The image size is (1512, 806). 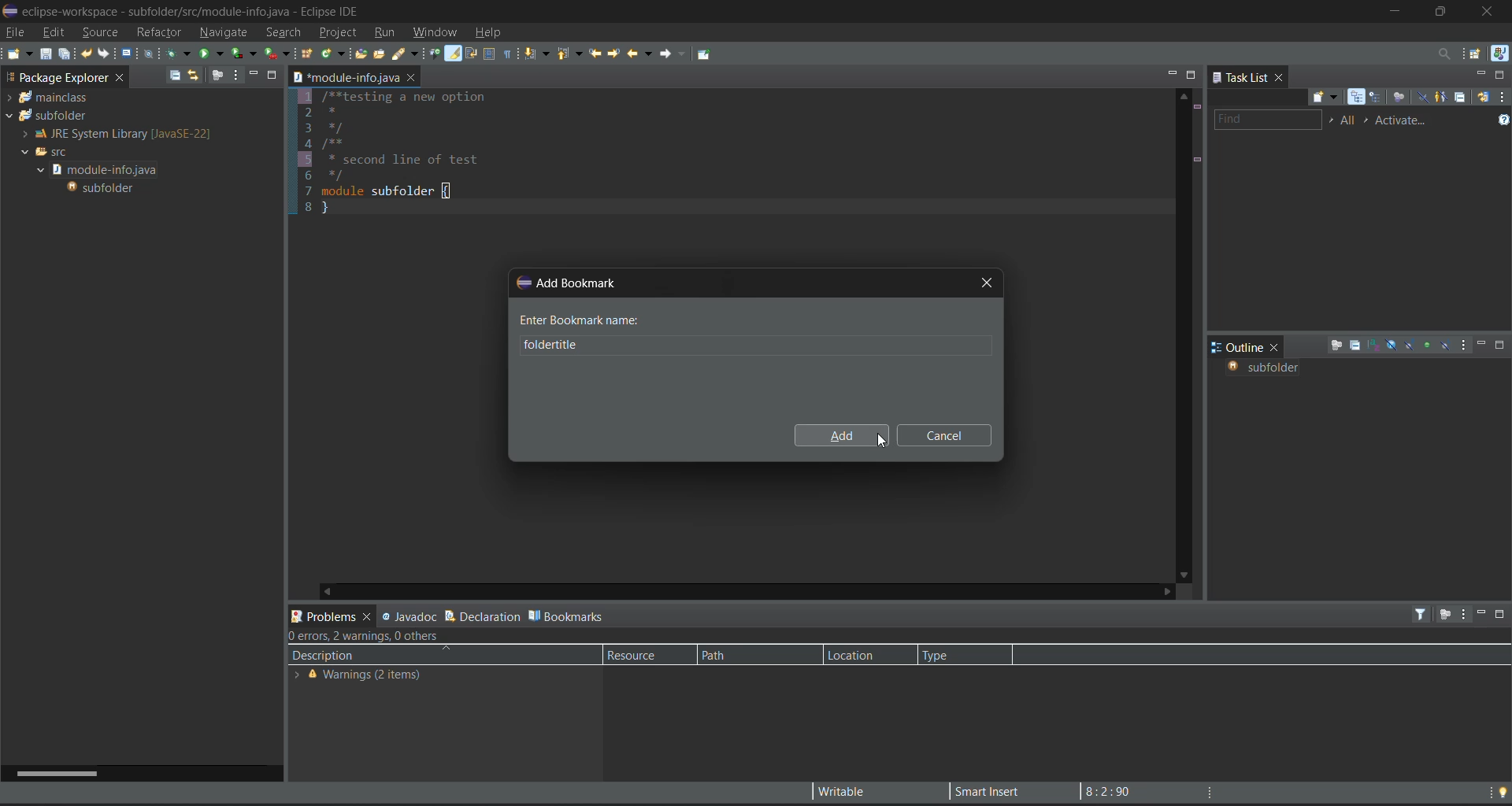 I want to click on close, so click(x=985, y=280).